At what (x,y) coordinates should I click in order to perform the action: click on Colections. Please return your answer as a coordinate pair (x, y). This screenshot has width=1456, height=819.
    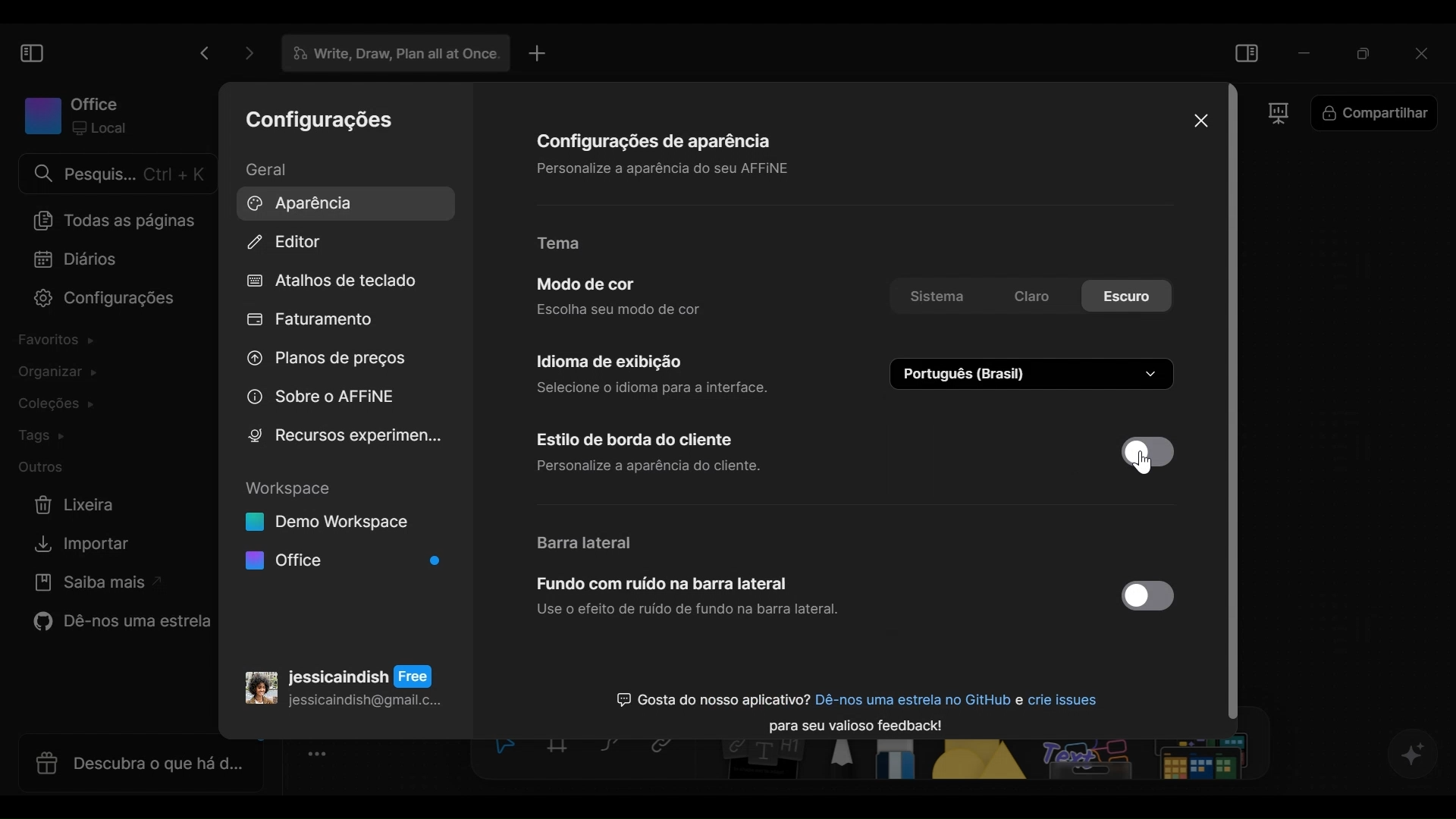
    Looking at the image, I should click on (65, 404).